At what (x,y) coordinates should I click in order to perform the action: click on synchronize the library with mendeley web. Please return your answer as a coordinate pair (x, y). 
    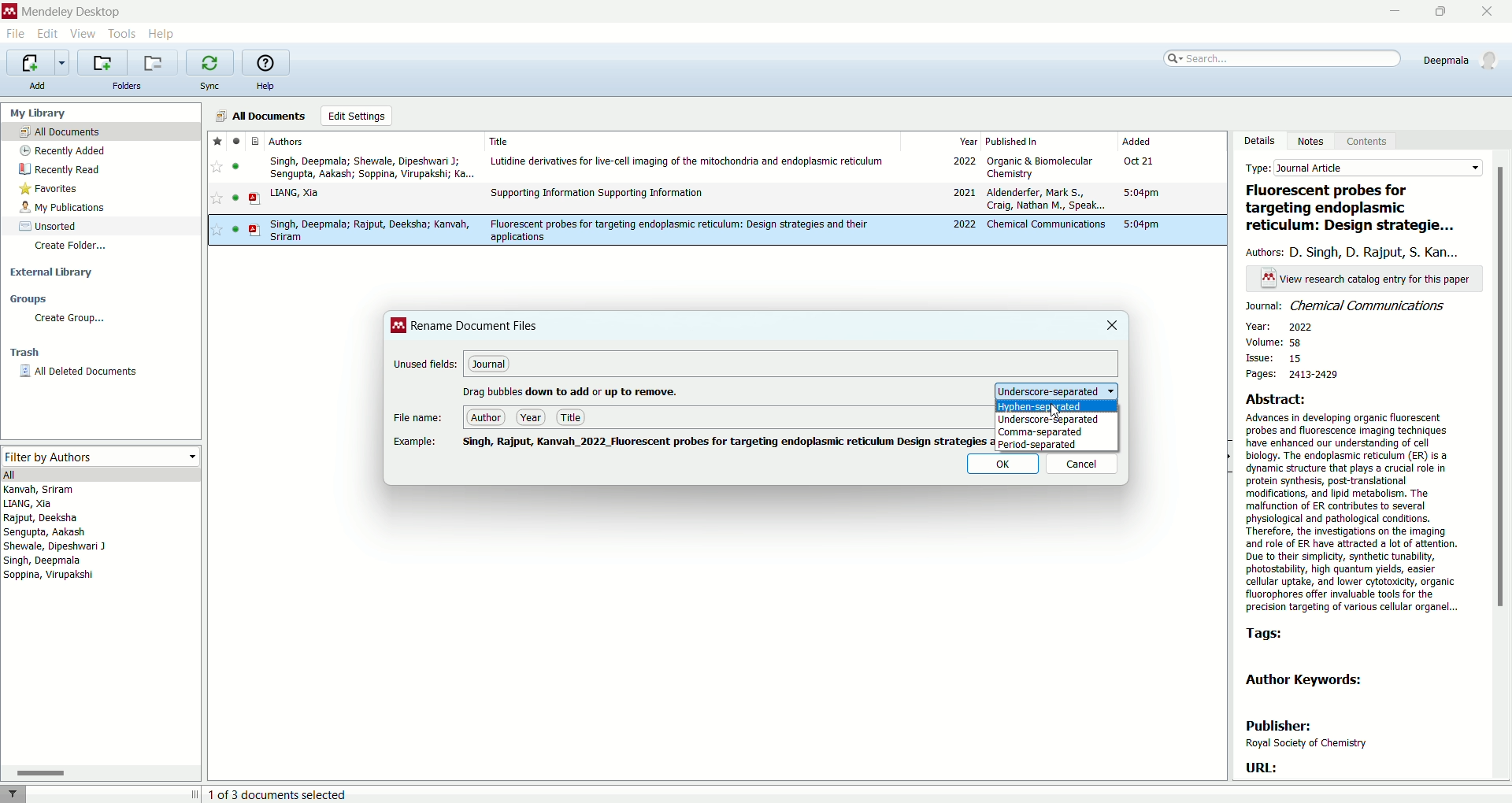
    Looking at the image, I should click on (210, 62).